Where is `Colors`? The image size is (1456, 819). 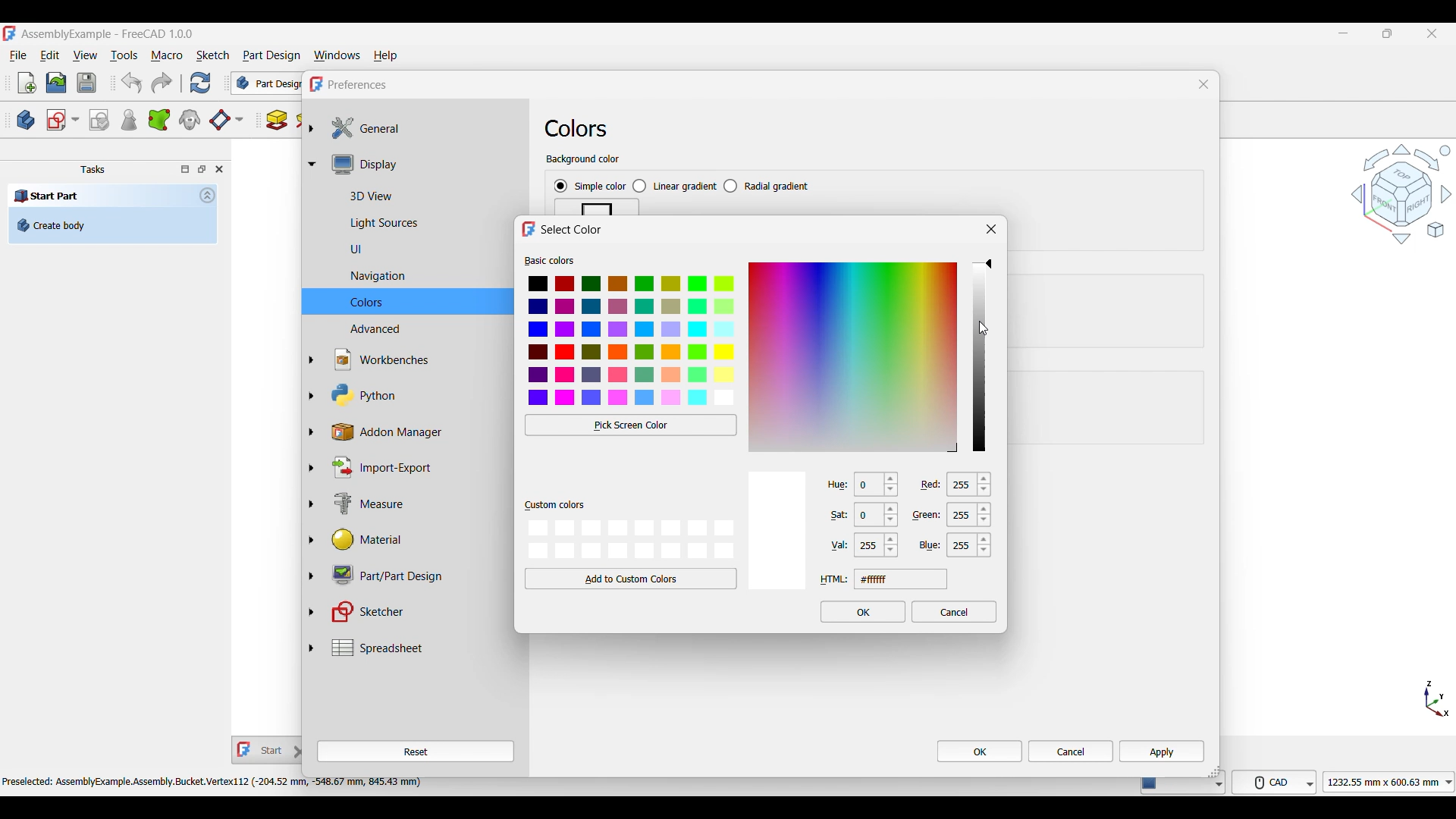 Colors is located at coordinates (417, 302).